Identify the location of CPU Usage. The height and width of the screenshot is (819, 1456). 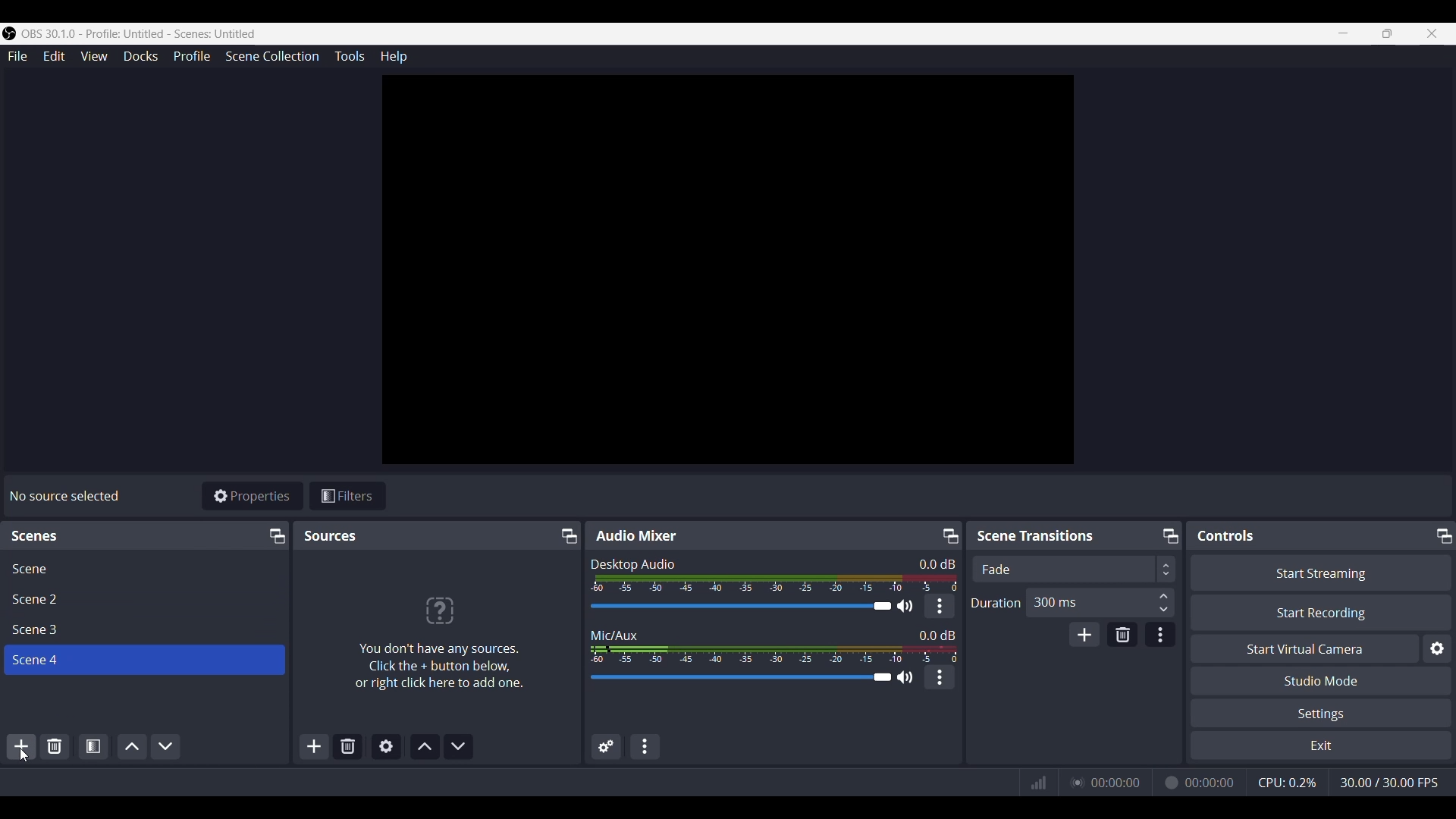
(1286, 781).